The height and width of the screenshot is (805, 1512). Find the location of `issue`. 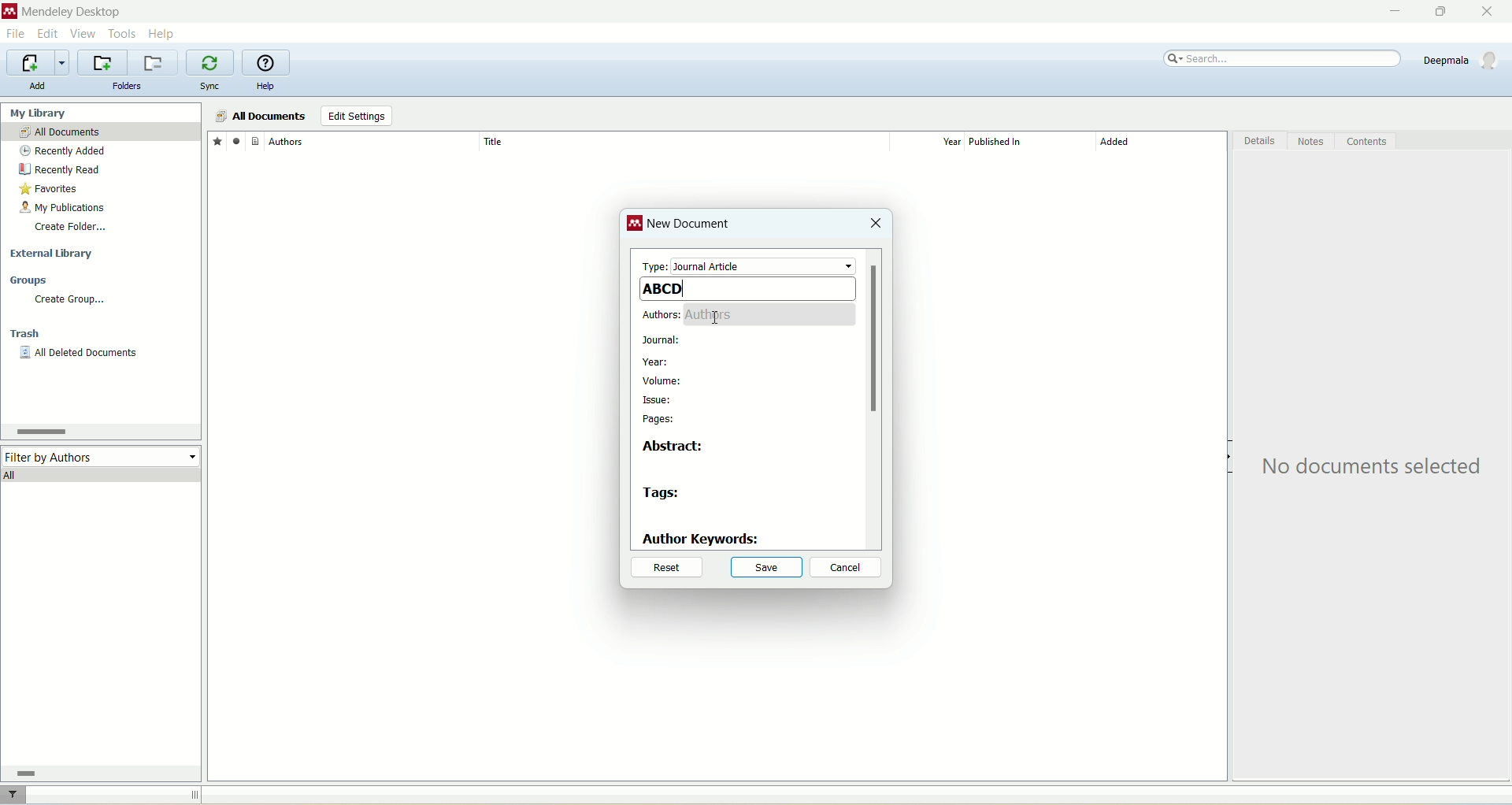

issue is located at coordinates (658, 402).